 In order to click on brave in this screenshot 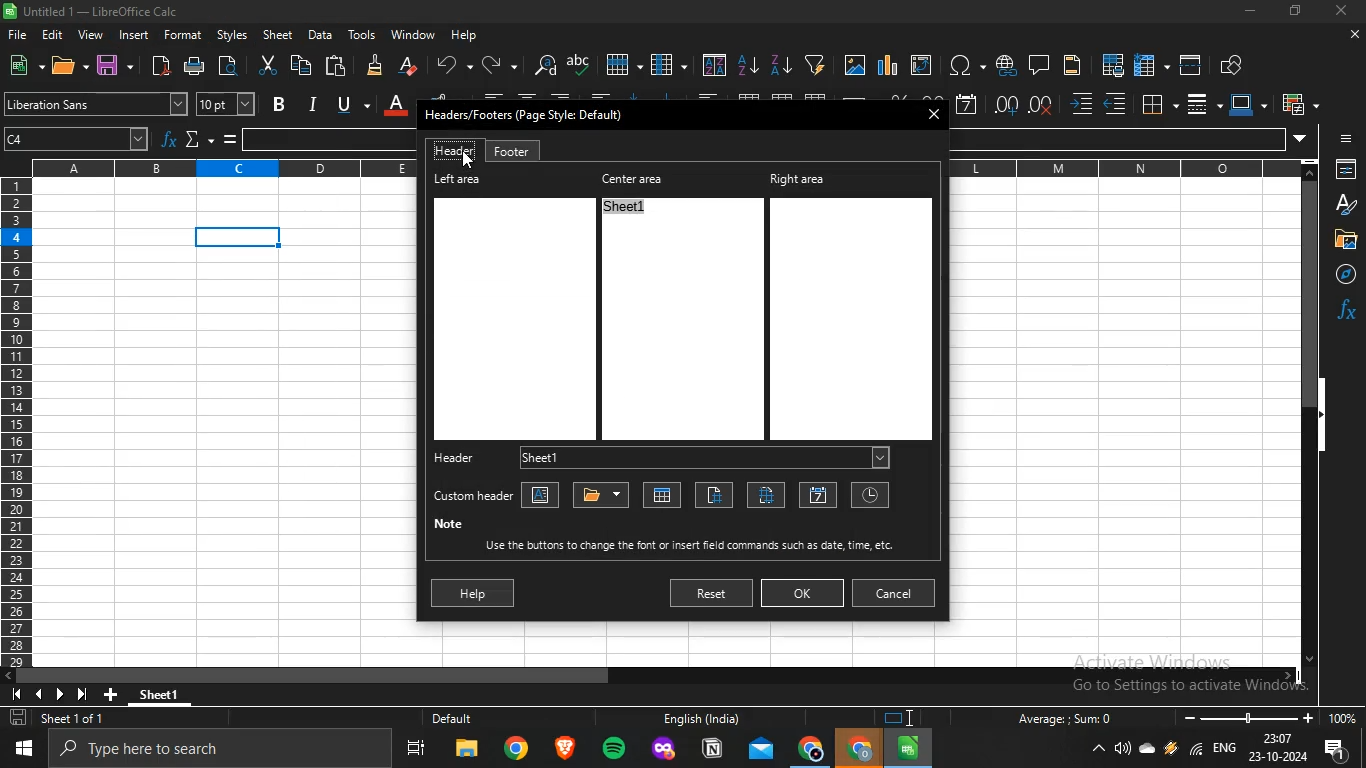, I will do `click(563, 749)`.